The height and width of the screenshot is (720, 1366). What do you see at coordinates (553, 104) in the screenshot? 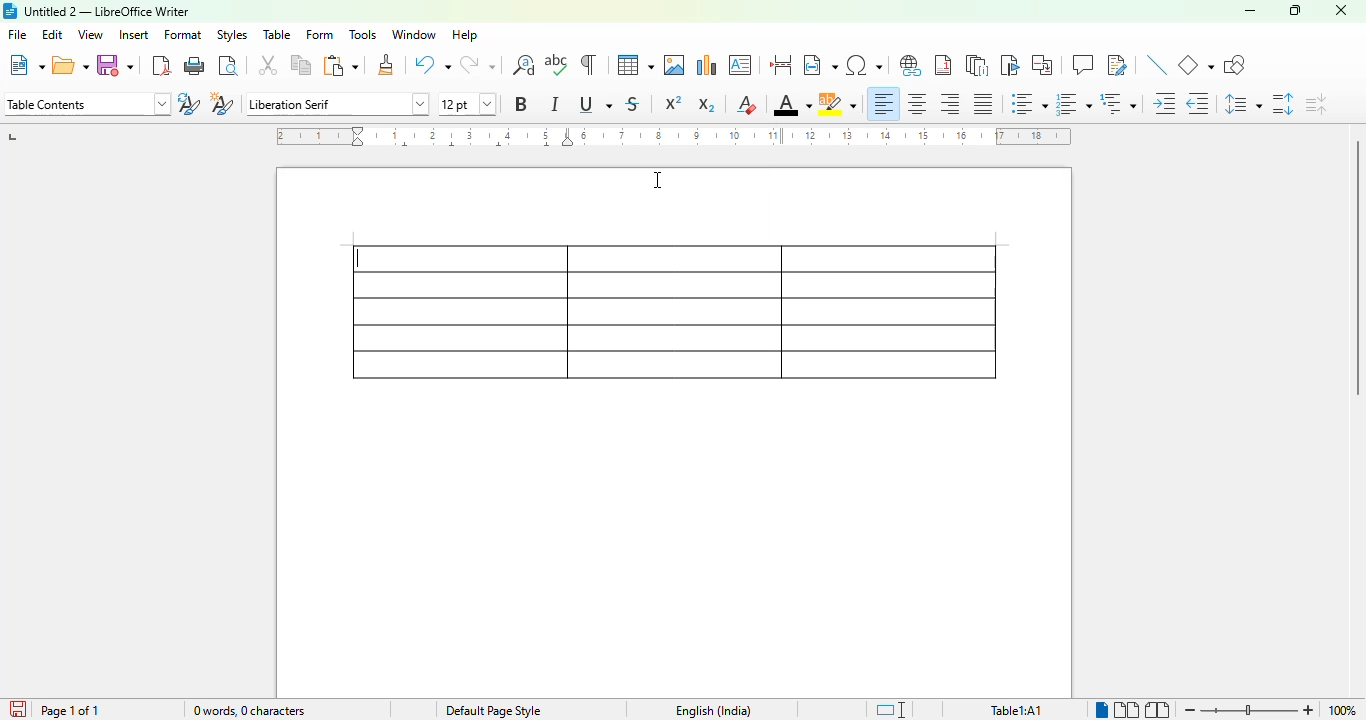
I see `italic` at bounding box center [553, 104].